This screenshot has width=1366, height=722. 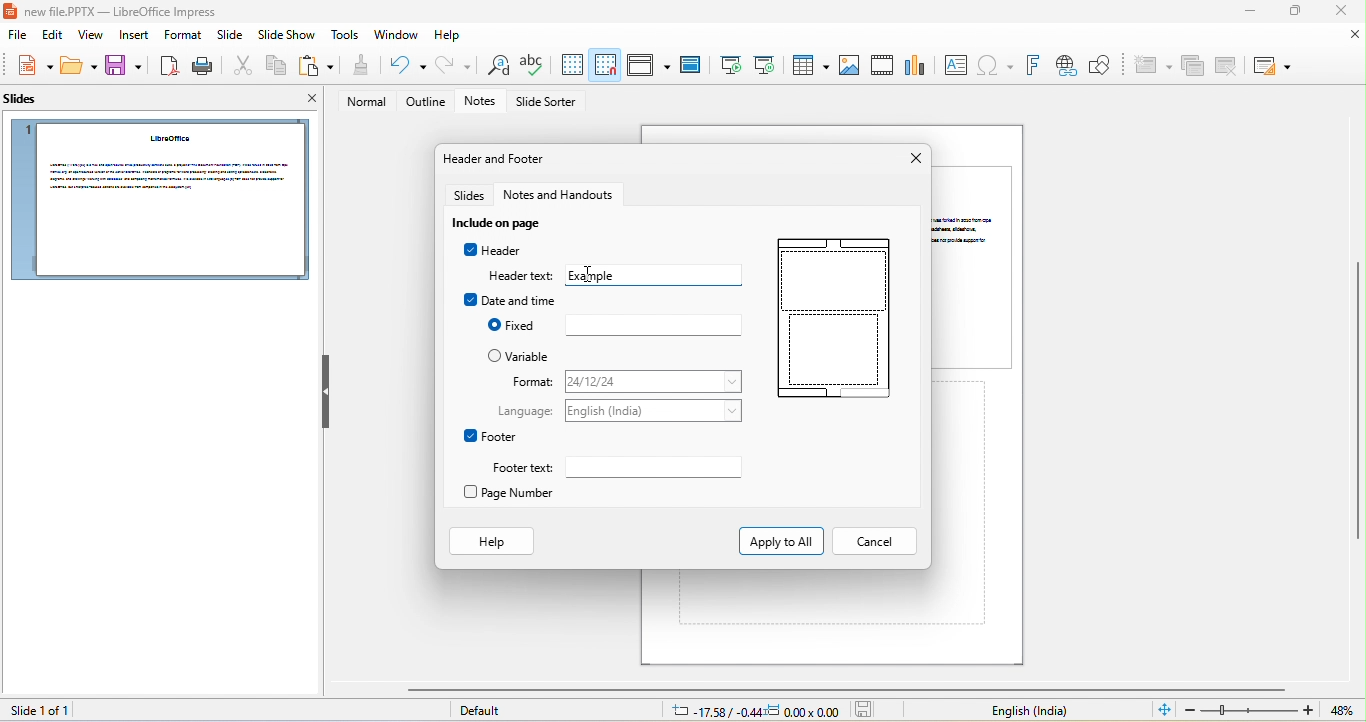 What do you see at coordinates (1250, 710) in the screenshot?
I see `zoom` at bounding box center [1250, 710].